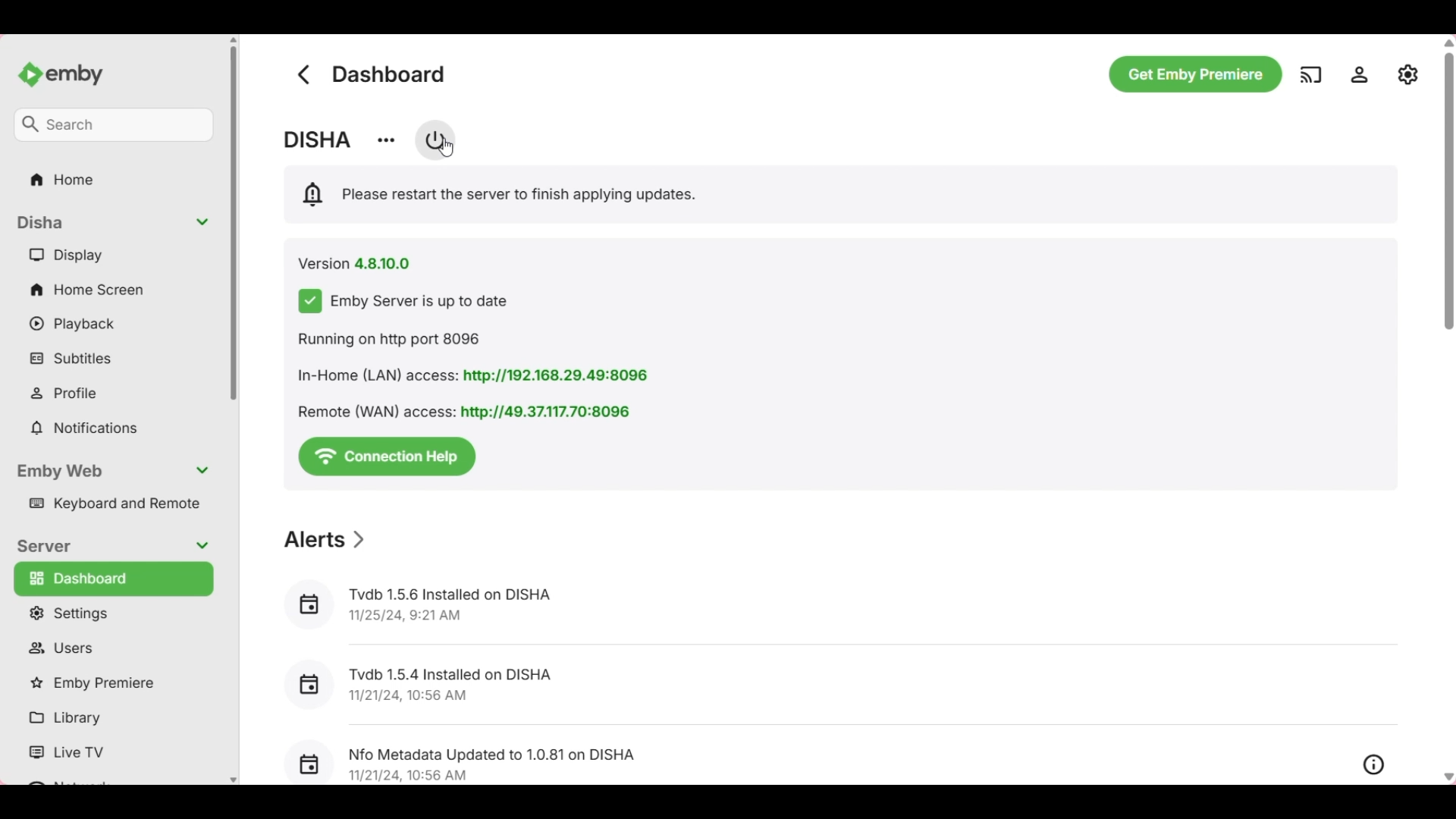  Describe the element at coordinates (112, 613) in the screenshot. I see `Settings` at that location.